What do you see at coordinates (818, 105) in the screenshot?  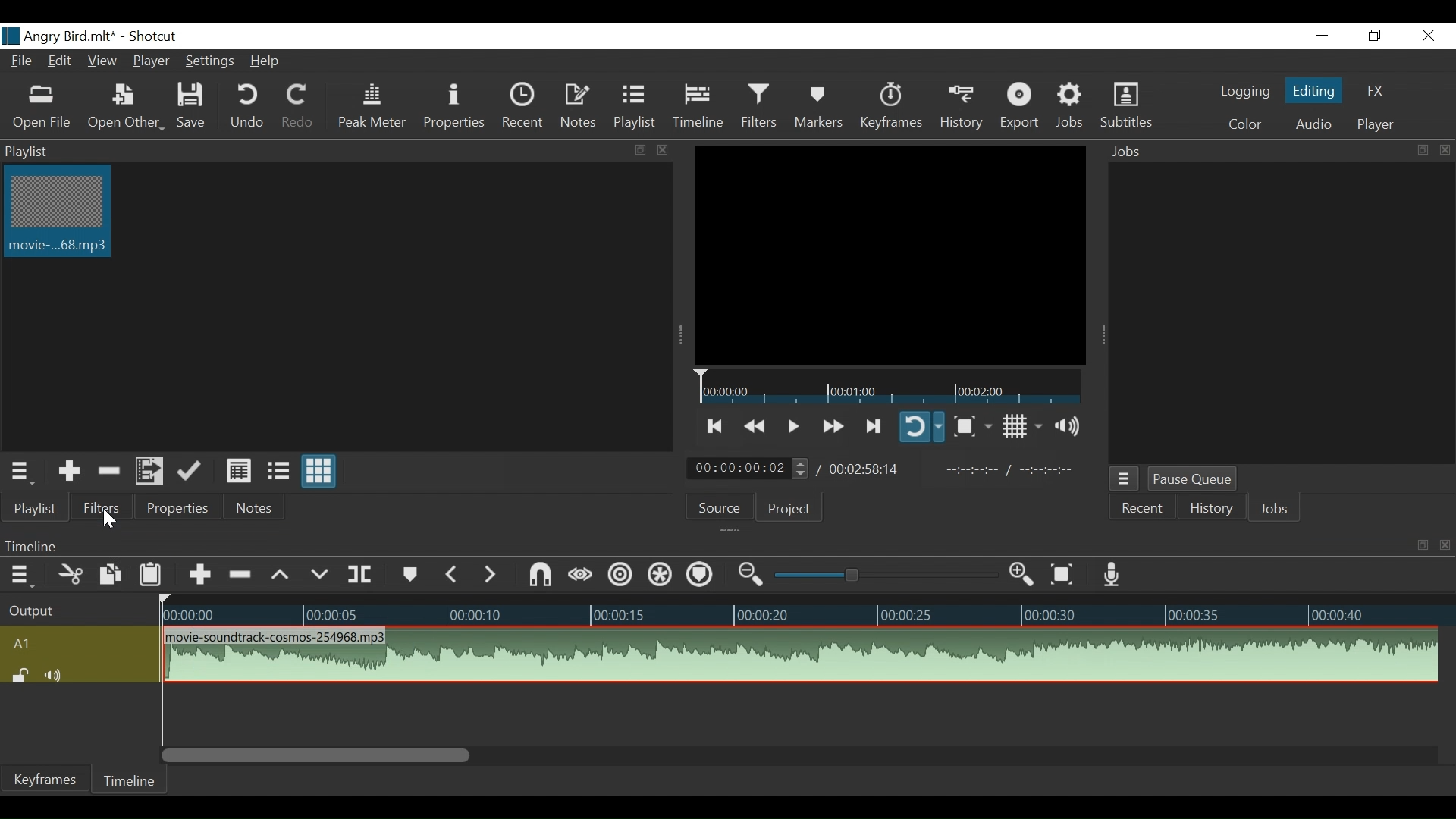 I see `Markers` at bounding box center [818, 105].